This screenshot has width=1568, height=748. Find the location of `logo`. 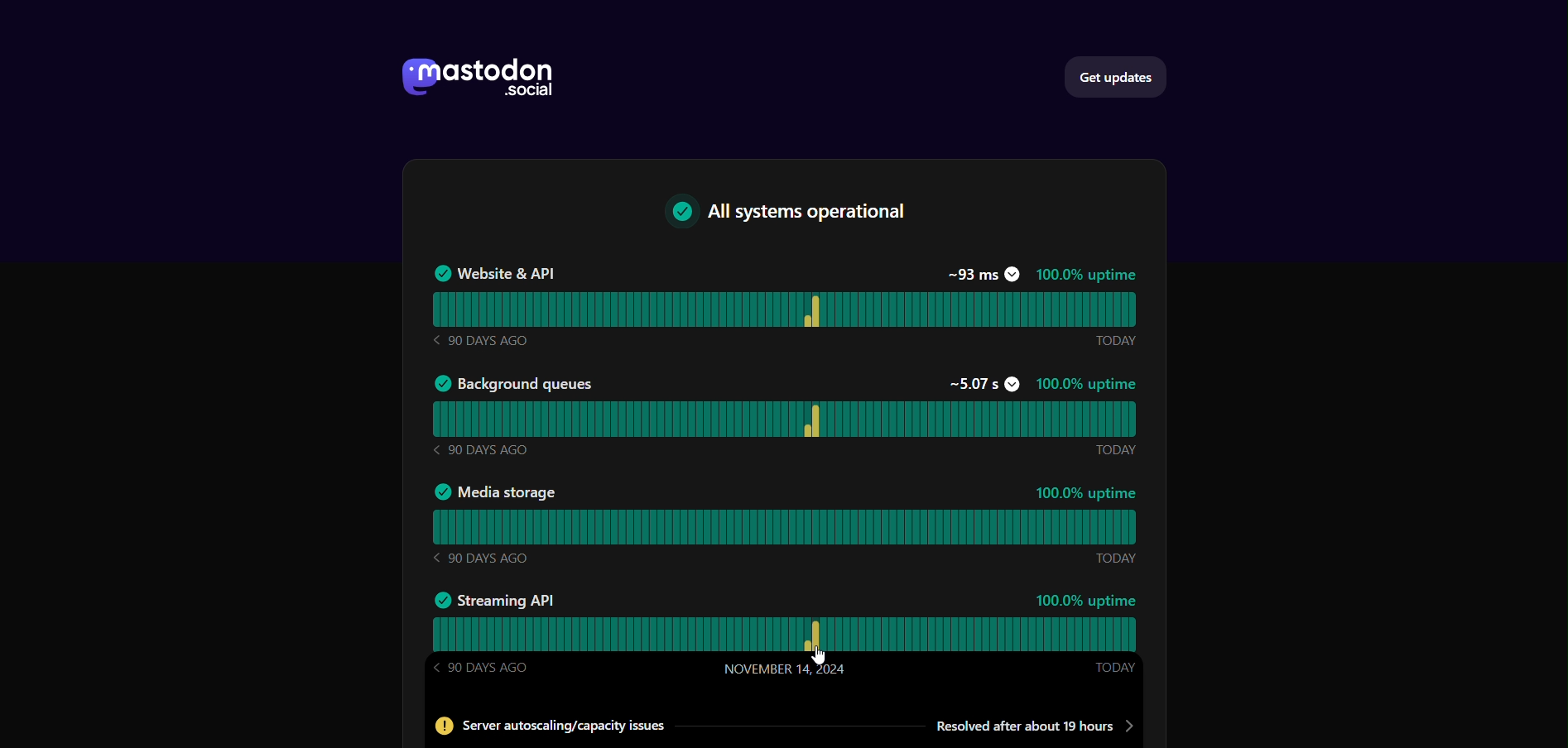

logo is located at coordinates (474, 80).